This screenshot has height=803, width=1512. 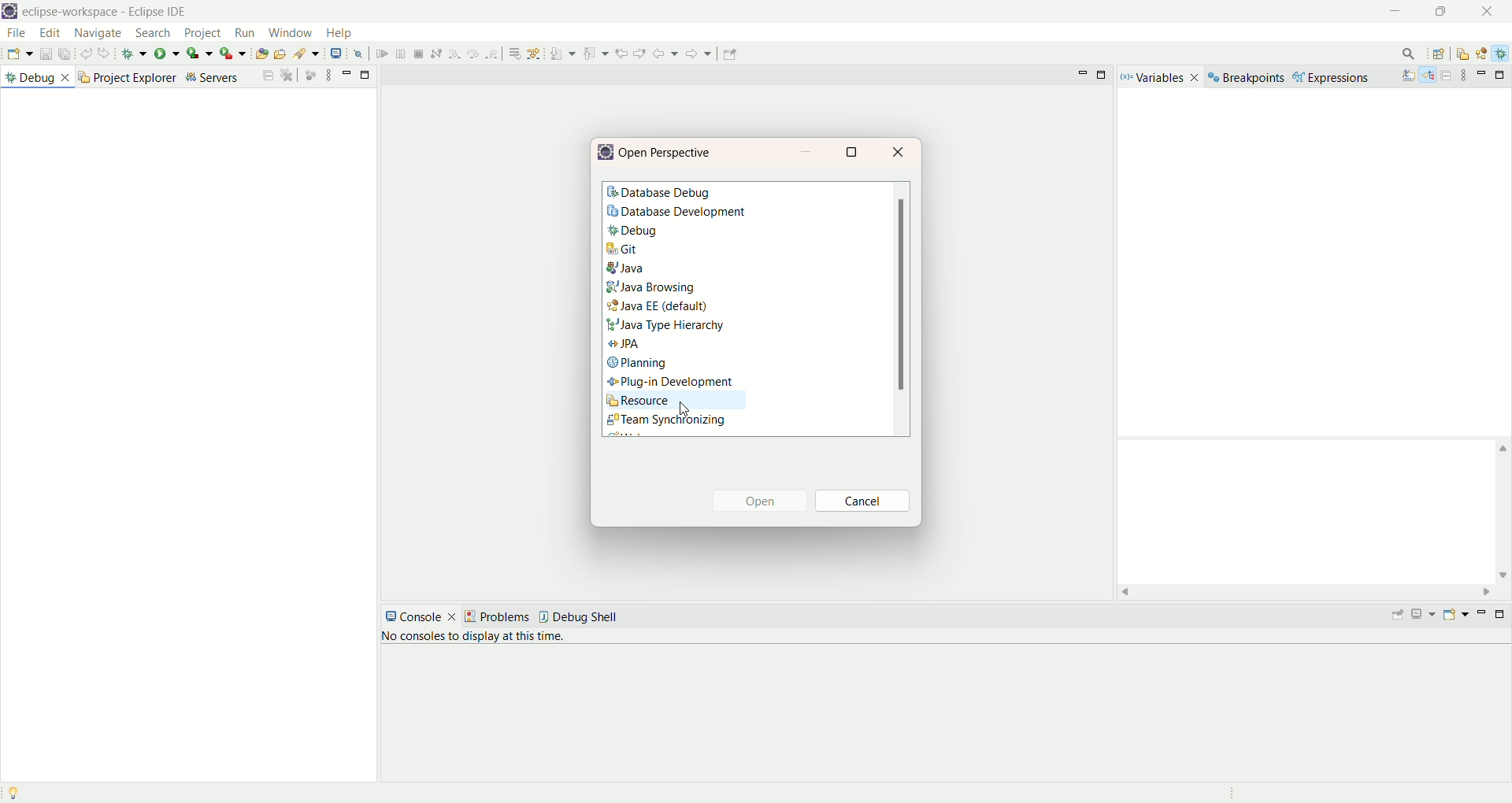 I want to click on previous annotation, so click(x=706, y=54).